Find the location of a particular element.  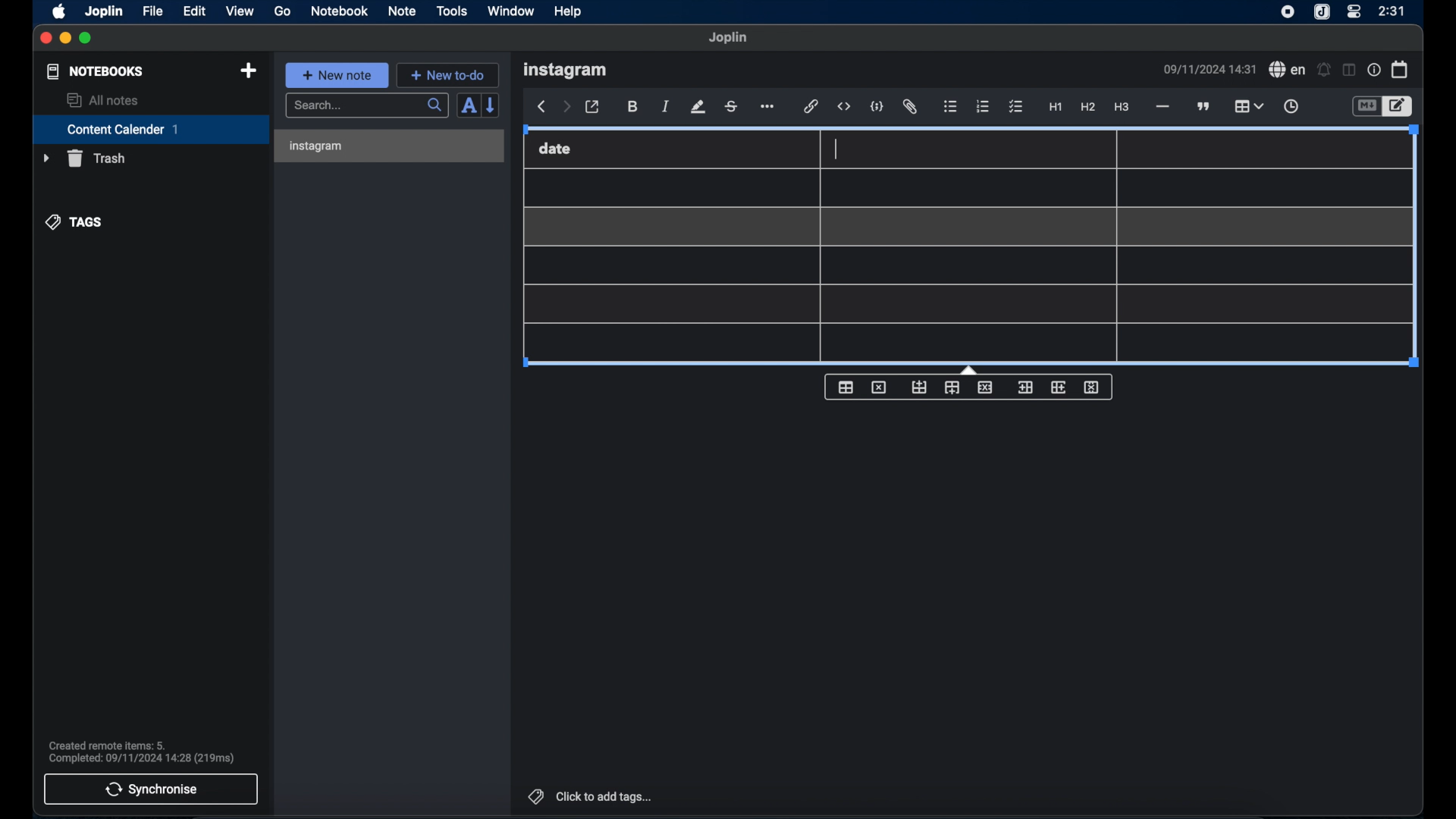

checklist is located at coordinates (1017, 108).